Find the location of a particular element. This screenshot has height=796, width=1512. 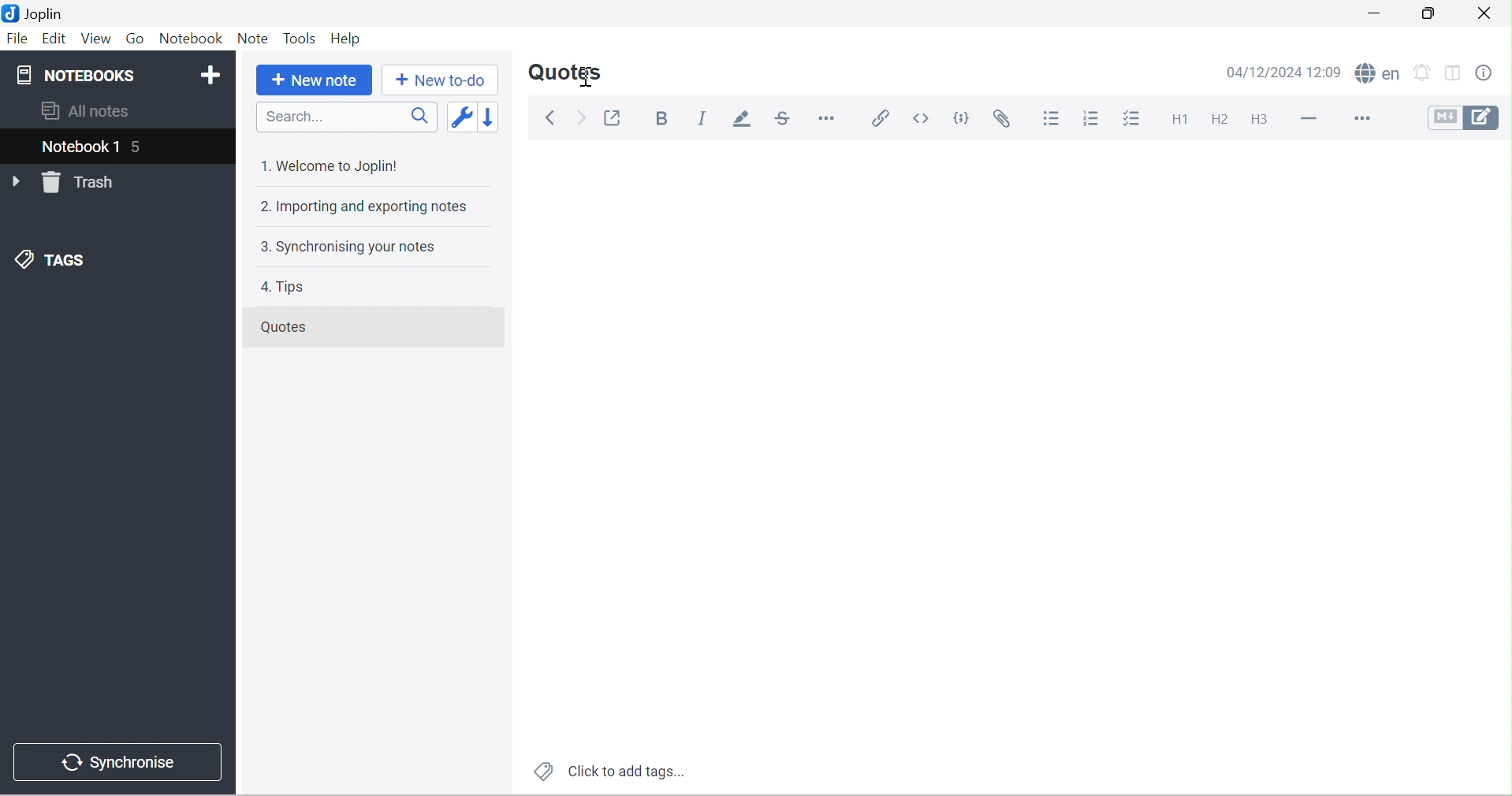

Insert / edit code is located at coordinates (882, 119).